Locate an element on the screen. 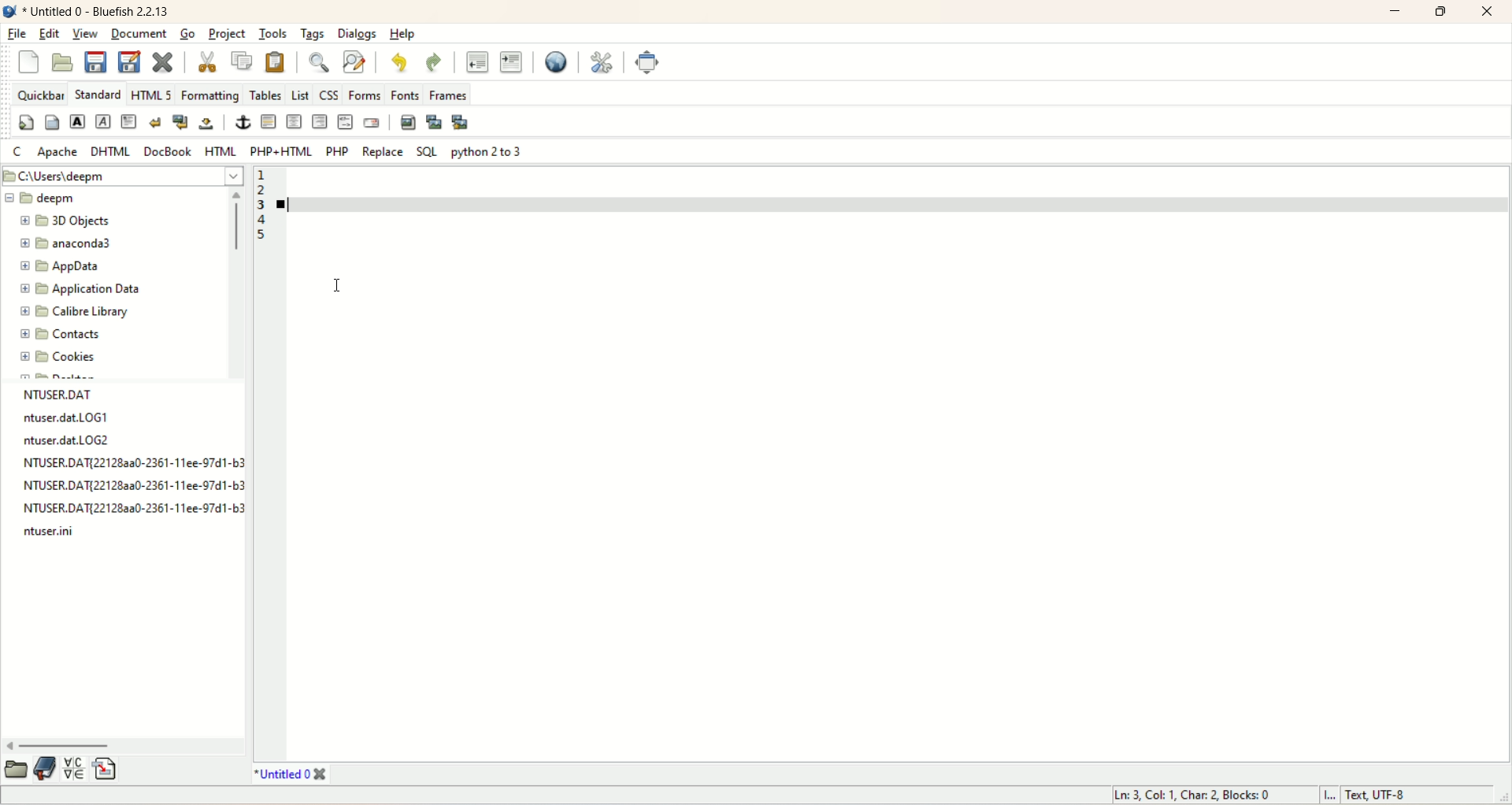  title is located at coordinates (98, 11).